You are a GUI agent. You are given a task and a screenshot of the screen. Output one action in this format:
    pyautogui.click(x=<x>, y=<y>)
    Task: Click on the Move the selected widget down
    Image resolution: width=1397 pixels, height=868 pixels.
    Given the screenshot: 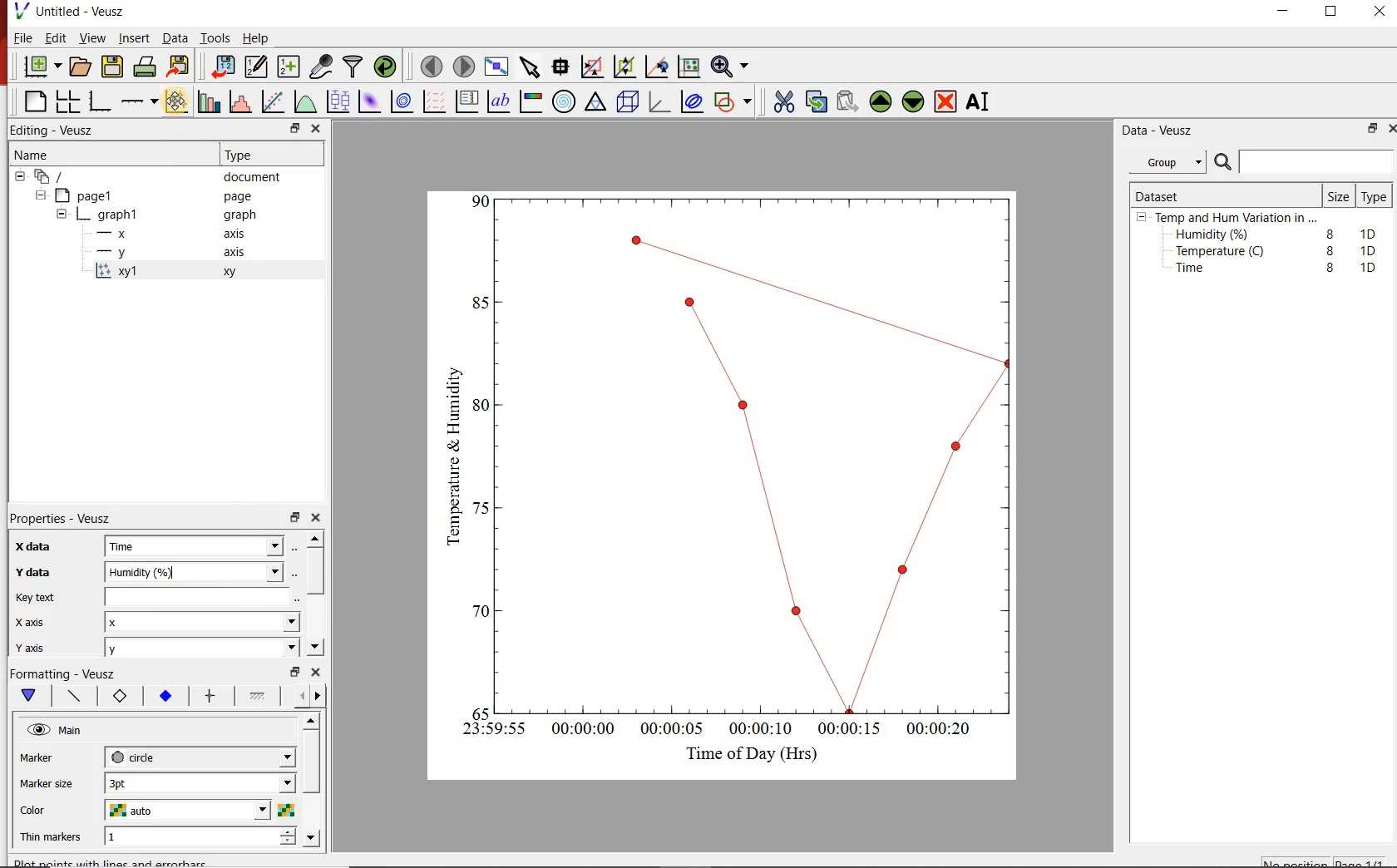 What is the action you would take?
    pyautogui.click(x=916, y=101)
    